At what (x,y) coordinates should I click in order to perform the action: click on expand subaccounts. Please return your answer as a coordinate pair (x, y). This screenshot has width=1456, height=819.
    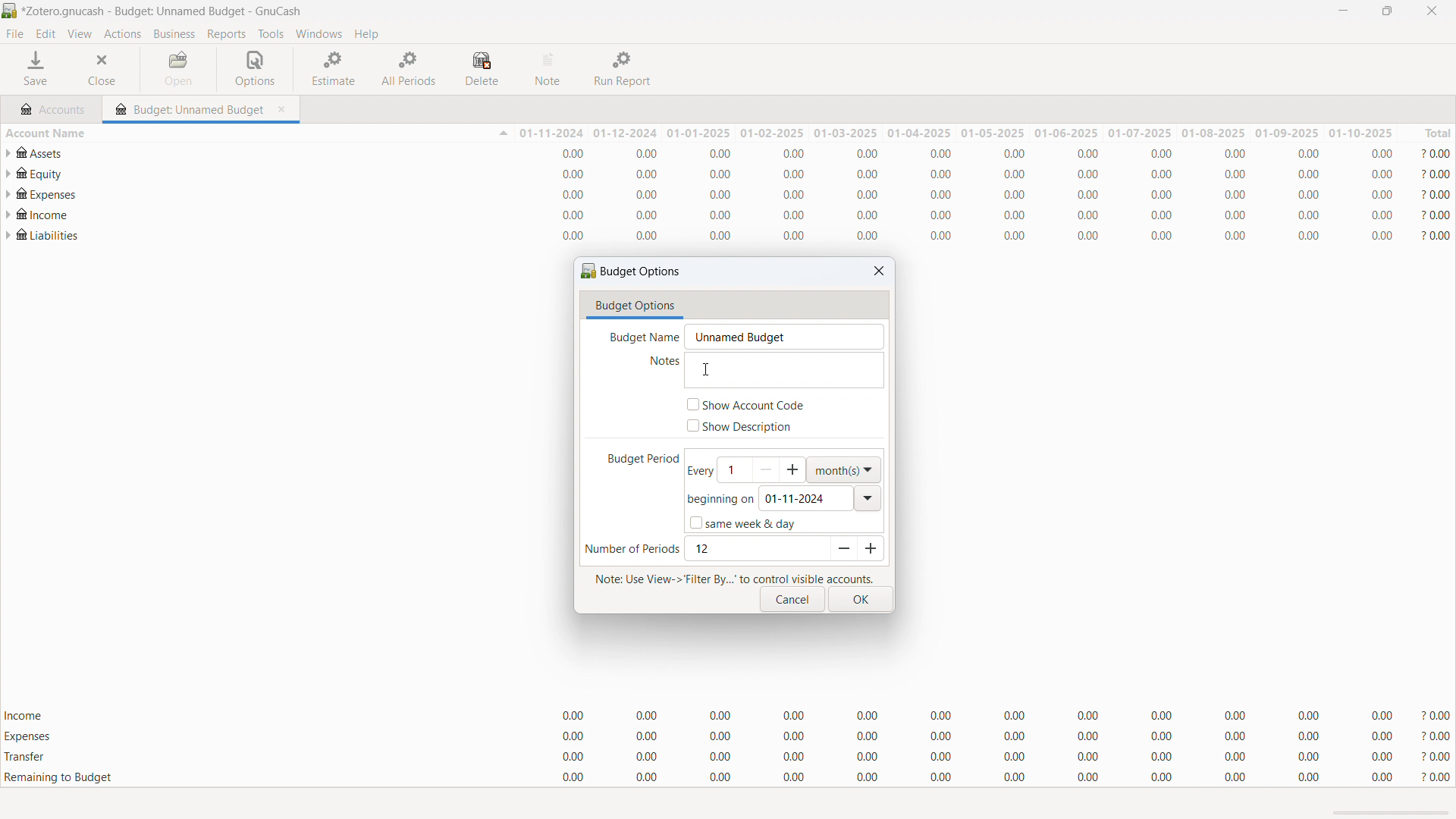
    Looking at the image, I should click on (9, 214).